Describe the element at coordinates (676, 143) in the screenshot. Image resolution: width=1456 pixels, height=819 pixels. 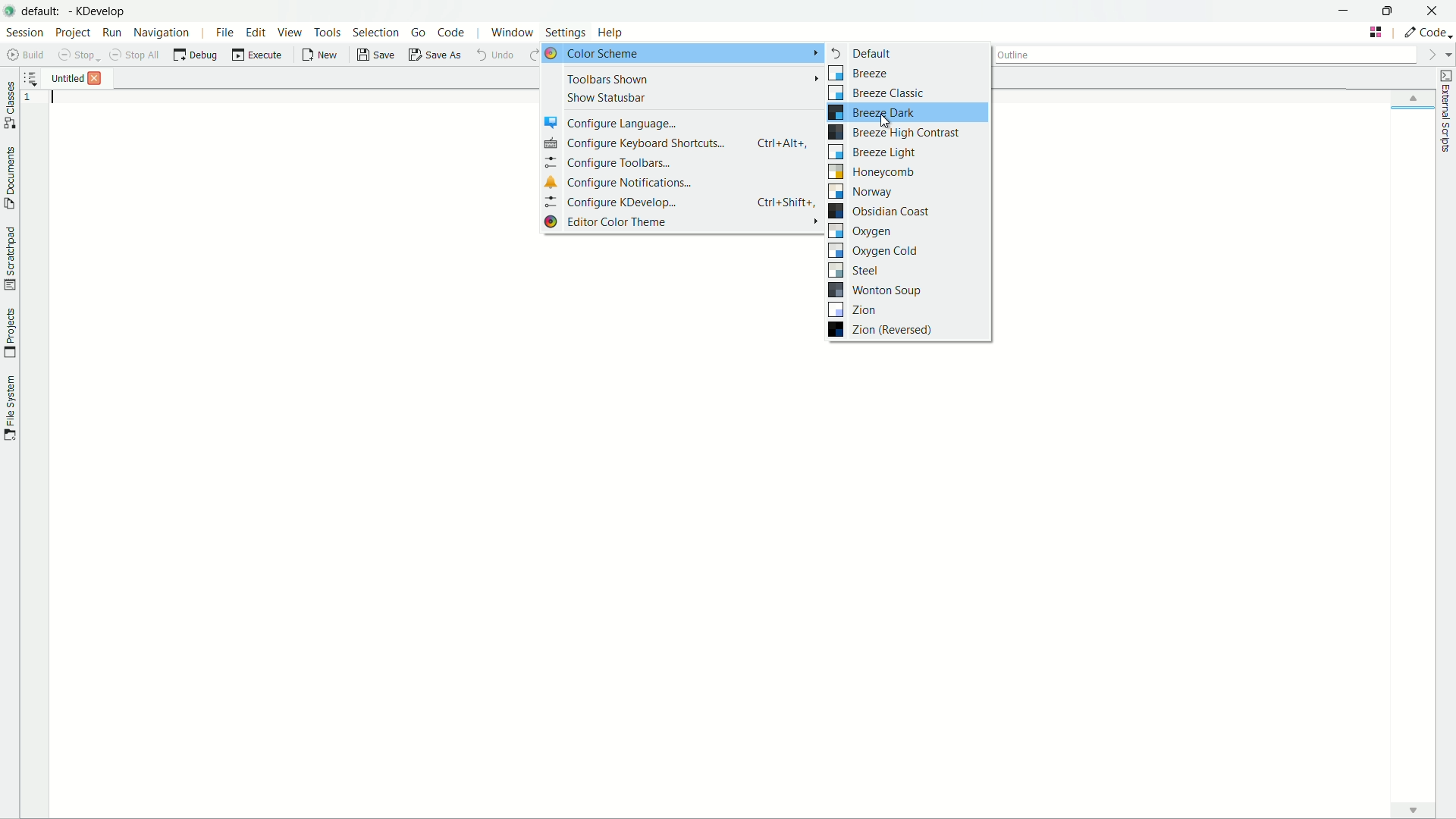
I see `configure keyboard shortcuts` at that location.